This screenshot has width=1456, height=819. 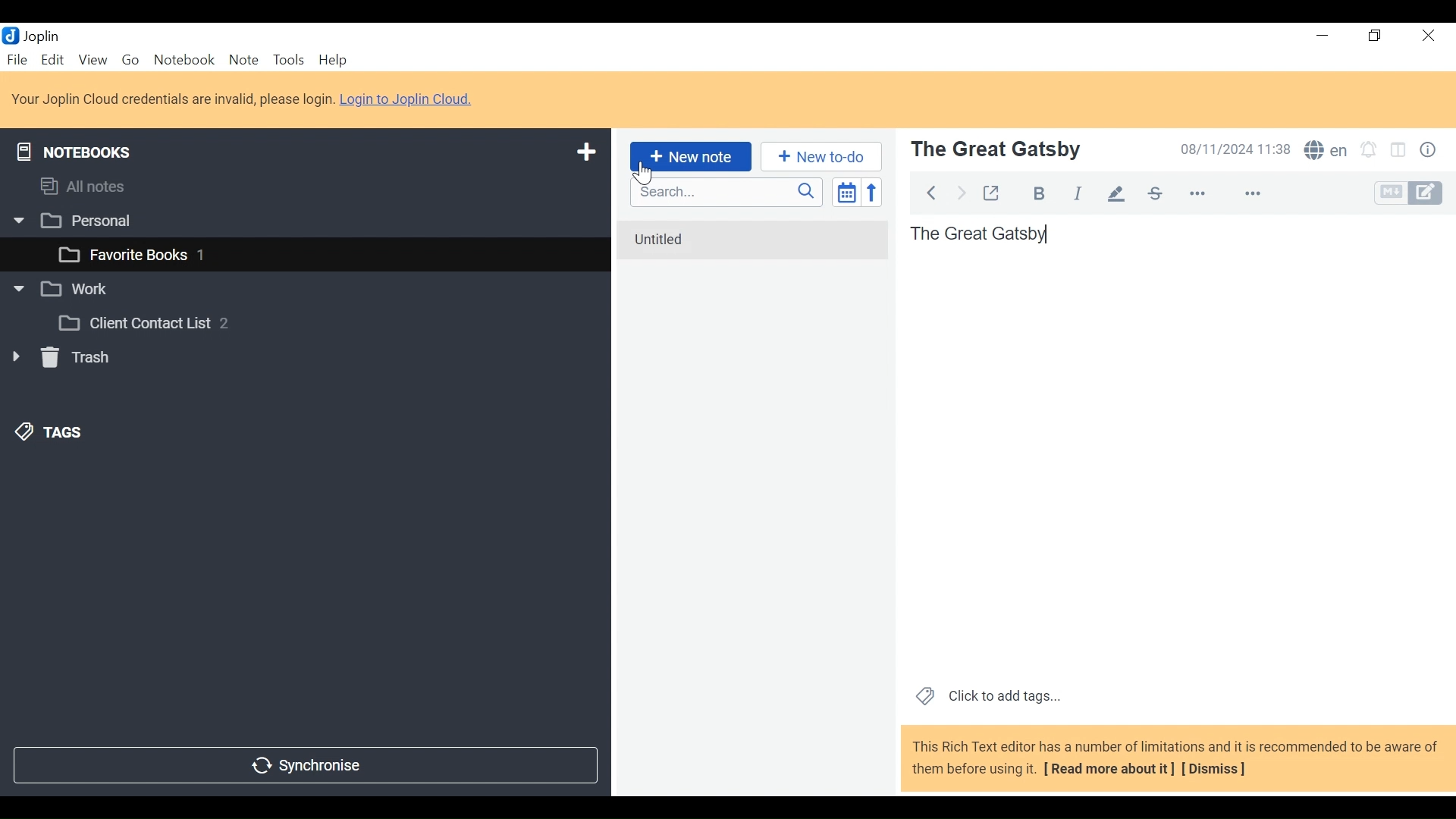 I want to click on  Client Contact List 2, so click(x=141, y=323).